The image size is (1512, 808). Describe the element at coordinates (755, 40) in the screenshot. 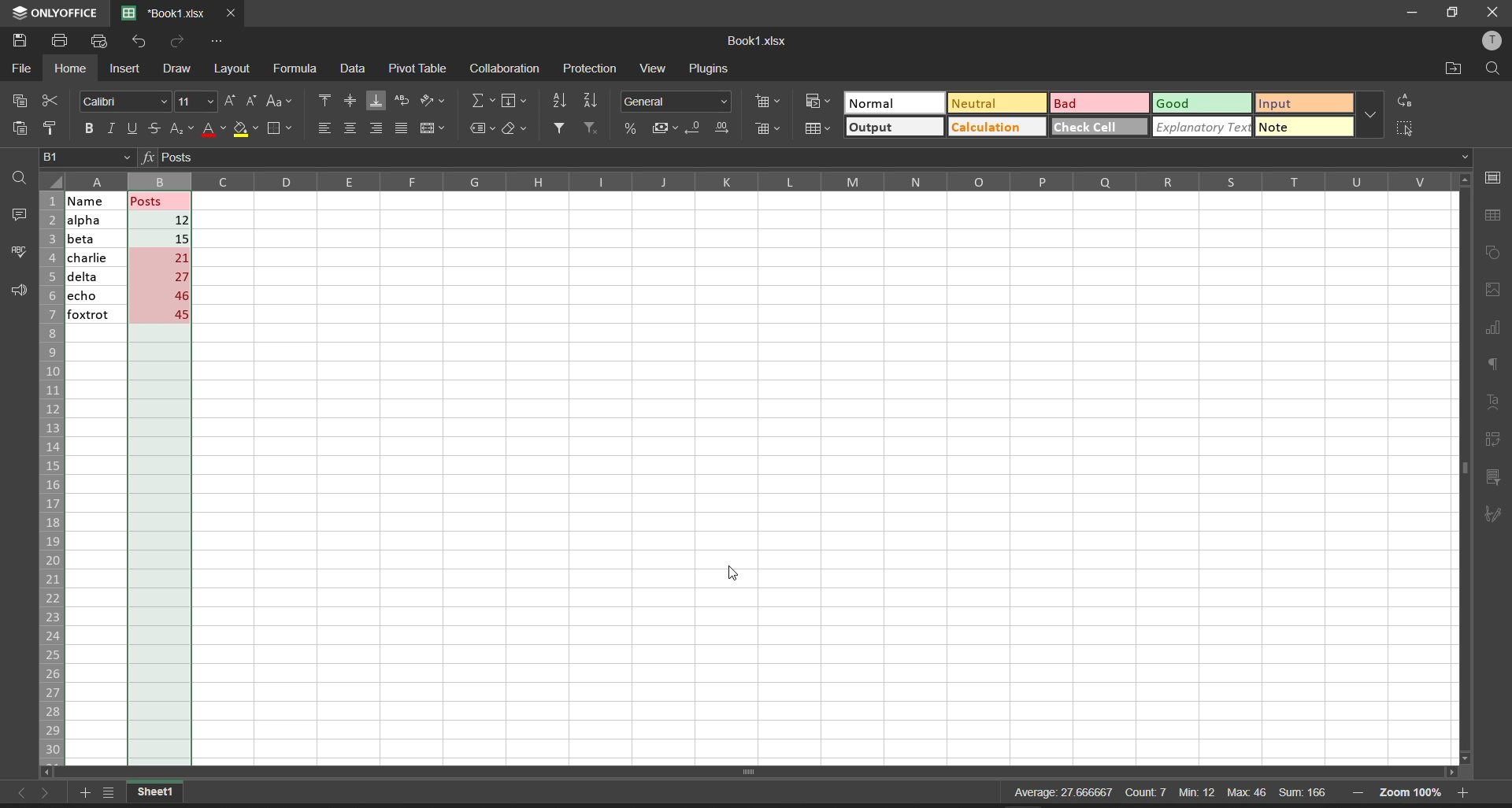

I see `Book1.xlsx` at that location.